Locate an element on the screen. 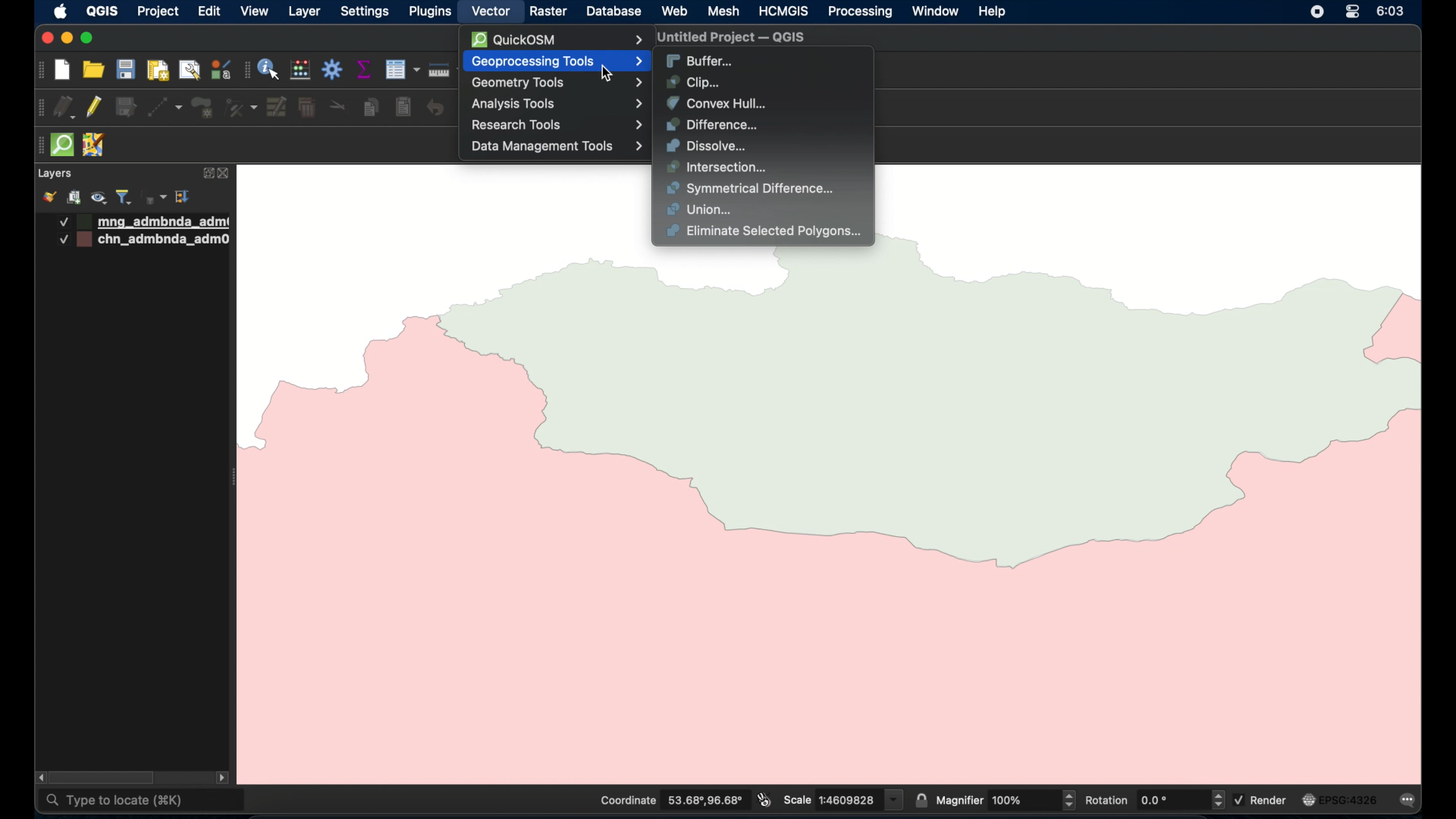 The width and height of the screenshot is (1456, 819). union is located at coordinates (701, 210).